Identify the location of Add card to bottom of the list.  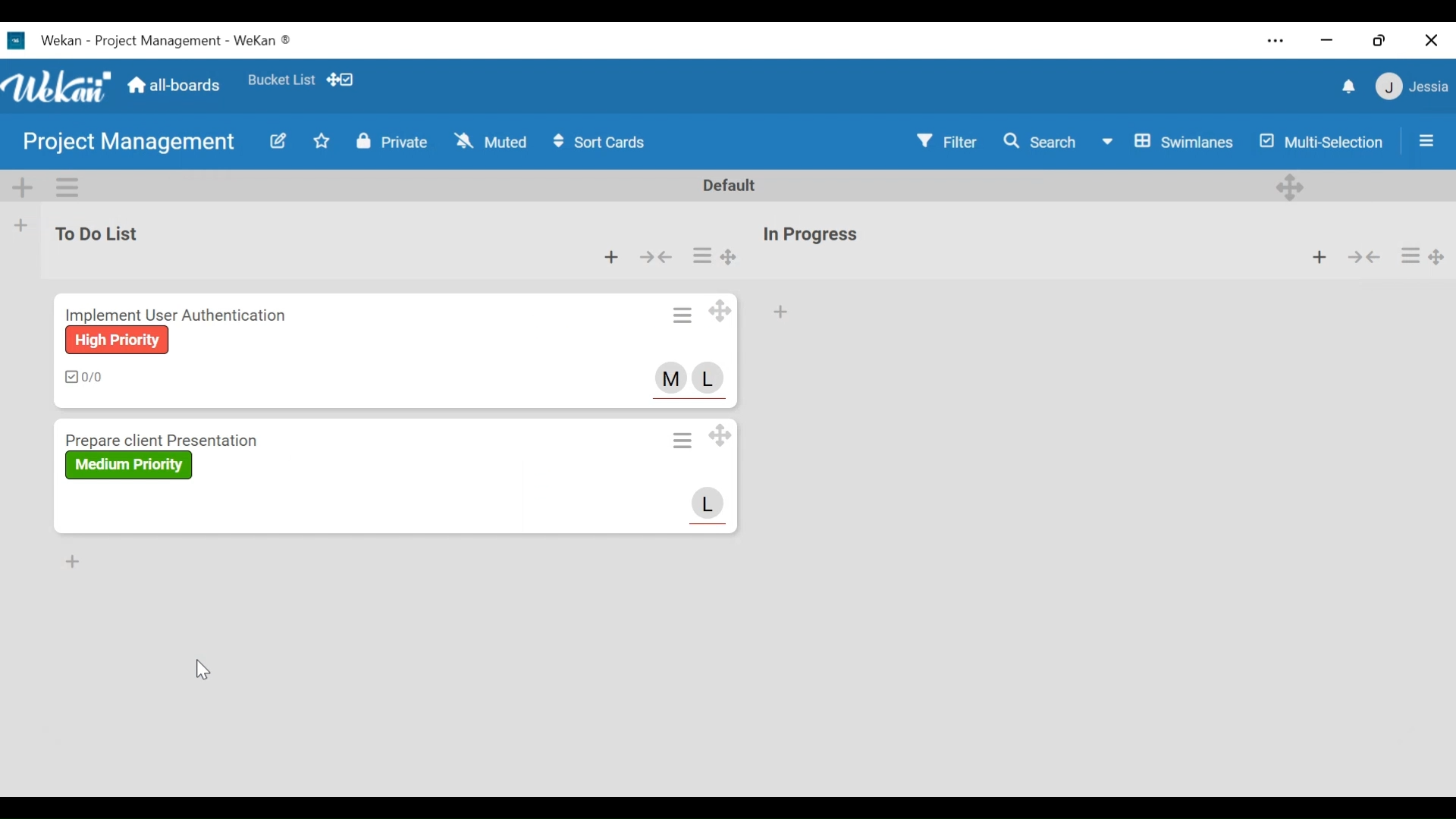
(779, 312).